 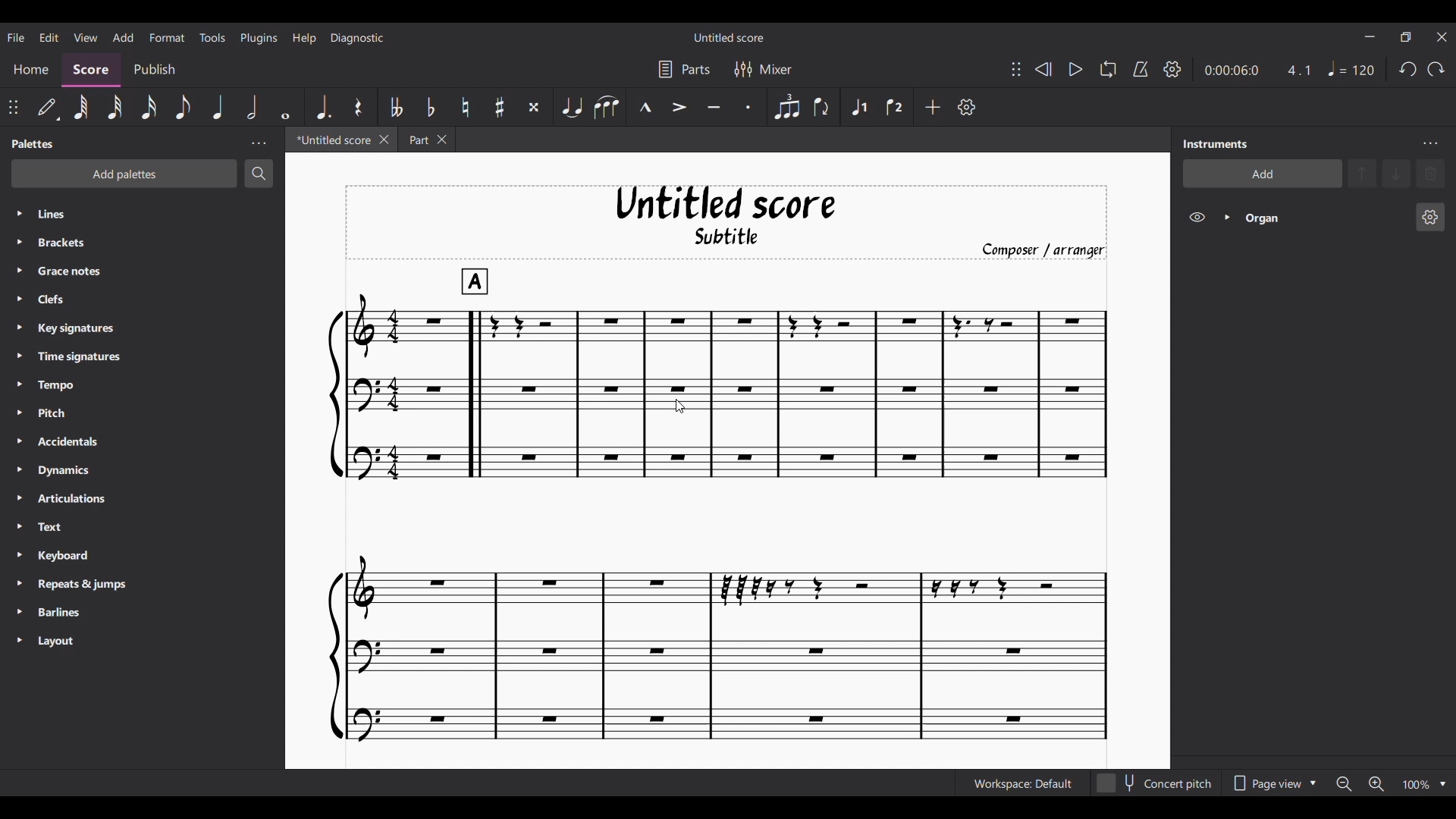 I want to click on Tie, so click(x=572, y=108).